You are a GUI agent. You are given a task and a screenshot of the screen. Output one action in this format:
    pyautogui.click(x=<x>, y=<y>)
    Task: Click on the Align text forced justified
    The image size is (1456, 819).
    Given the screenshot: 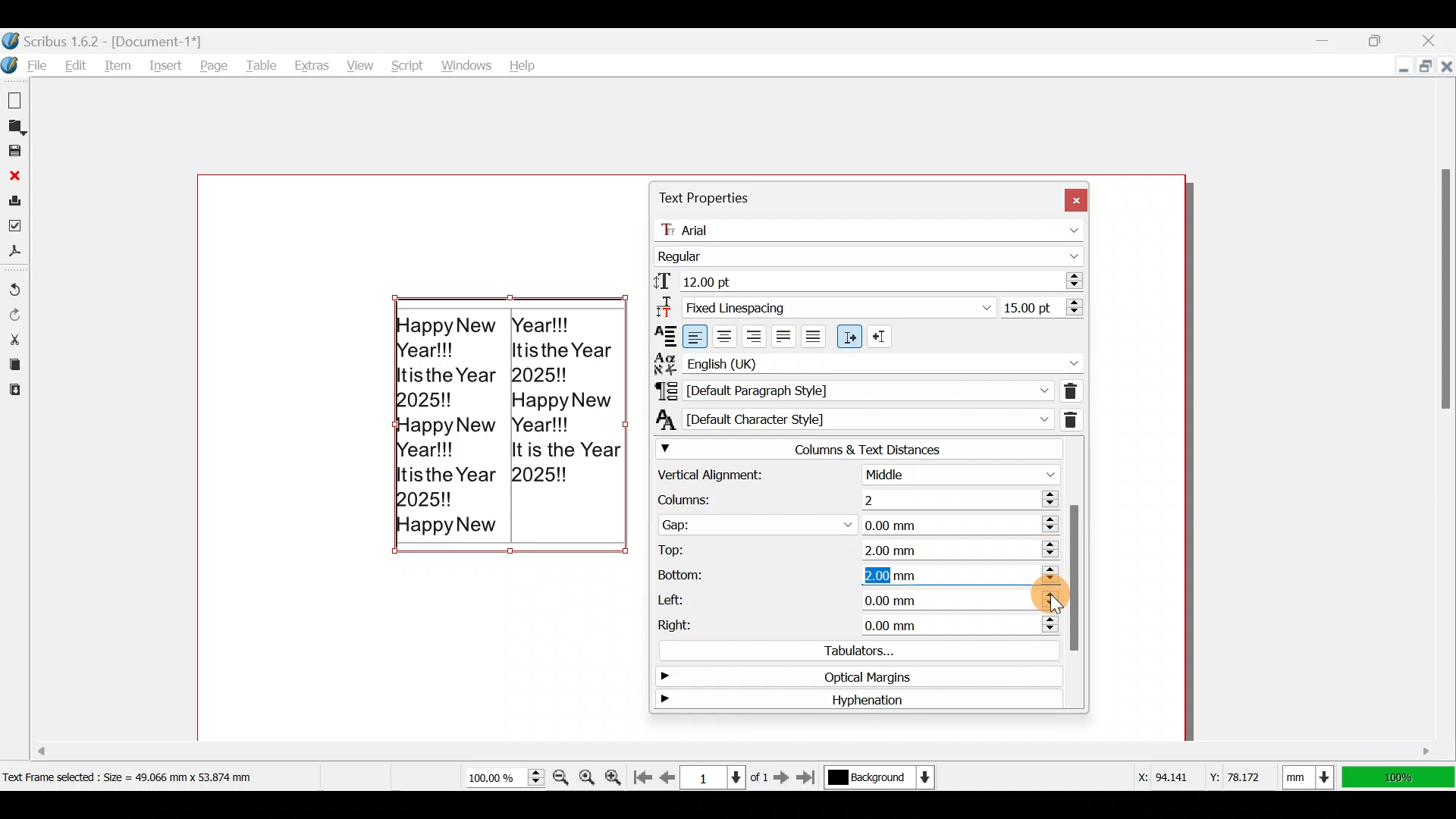 What is the action you would take?
    pyautogui.click(x=819, y=337)
    